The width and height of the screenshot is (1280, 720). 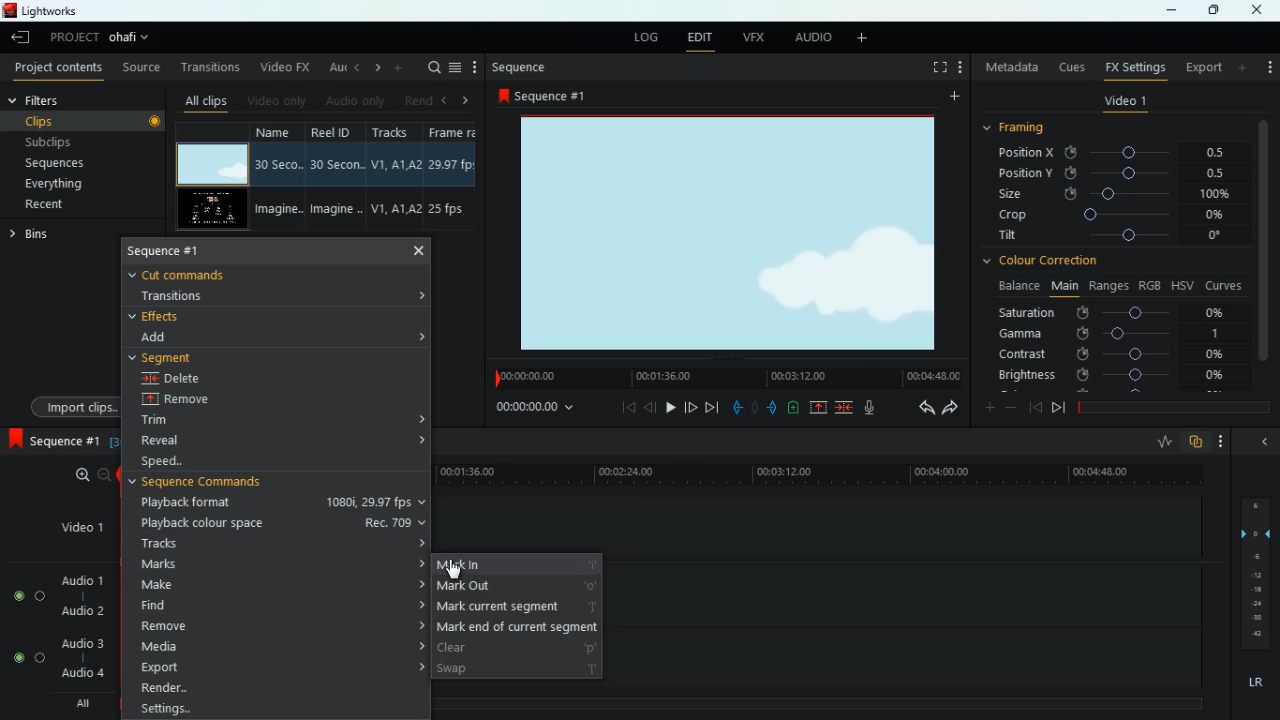 What do you see at coordinates (793, 409) in the screenshot?
I see `battery` at bounding box center [793, 409].